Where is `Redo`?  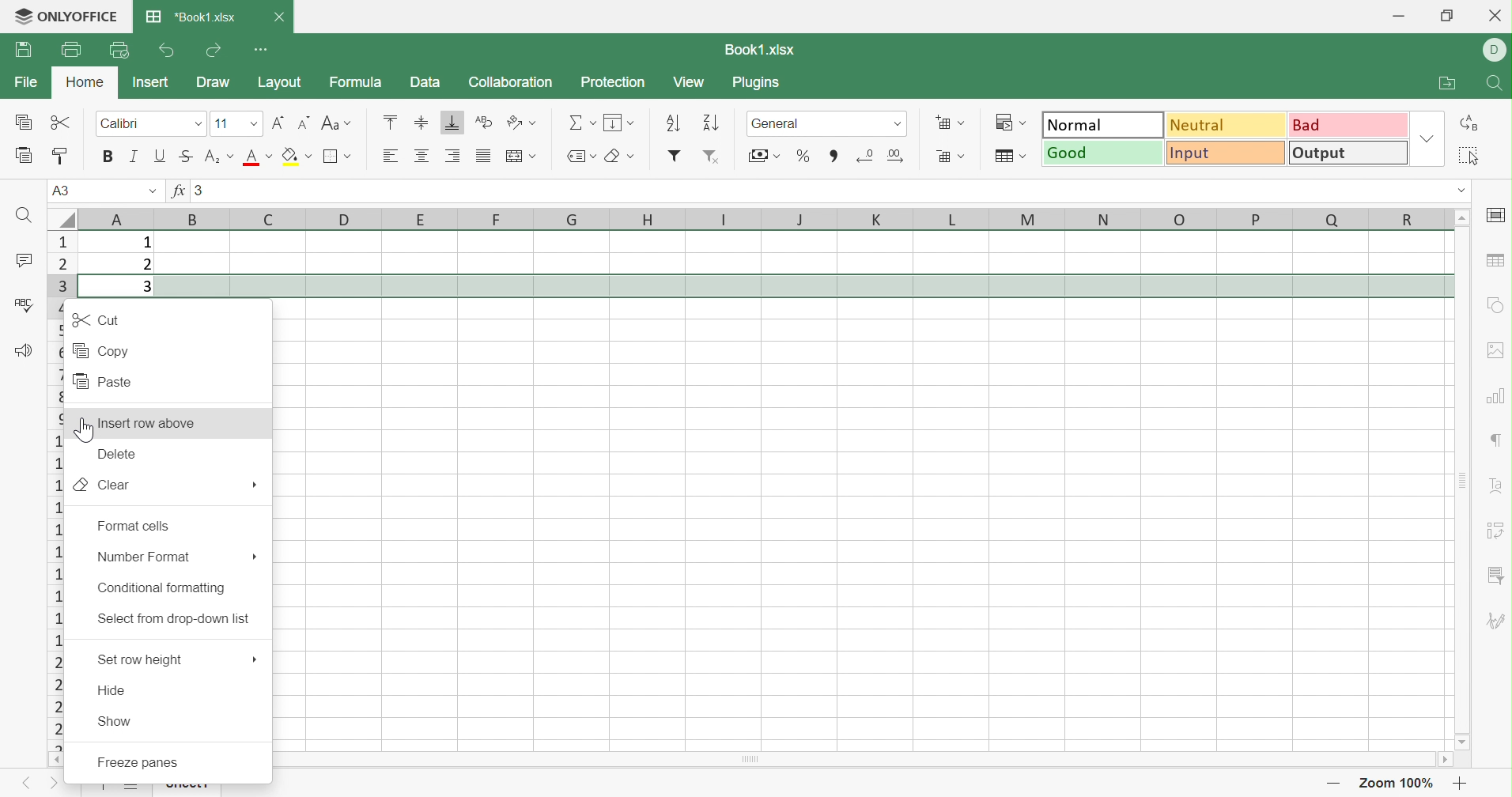
Redo is located at coordinates (214, 50).